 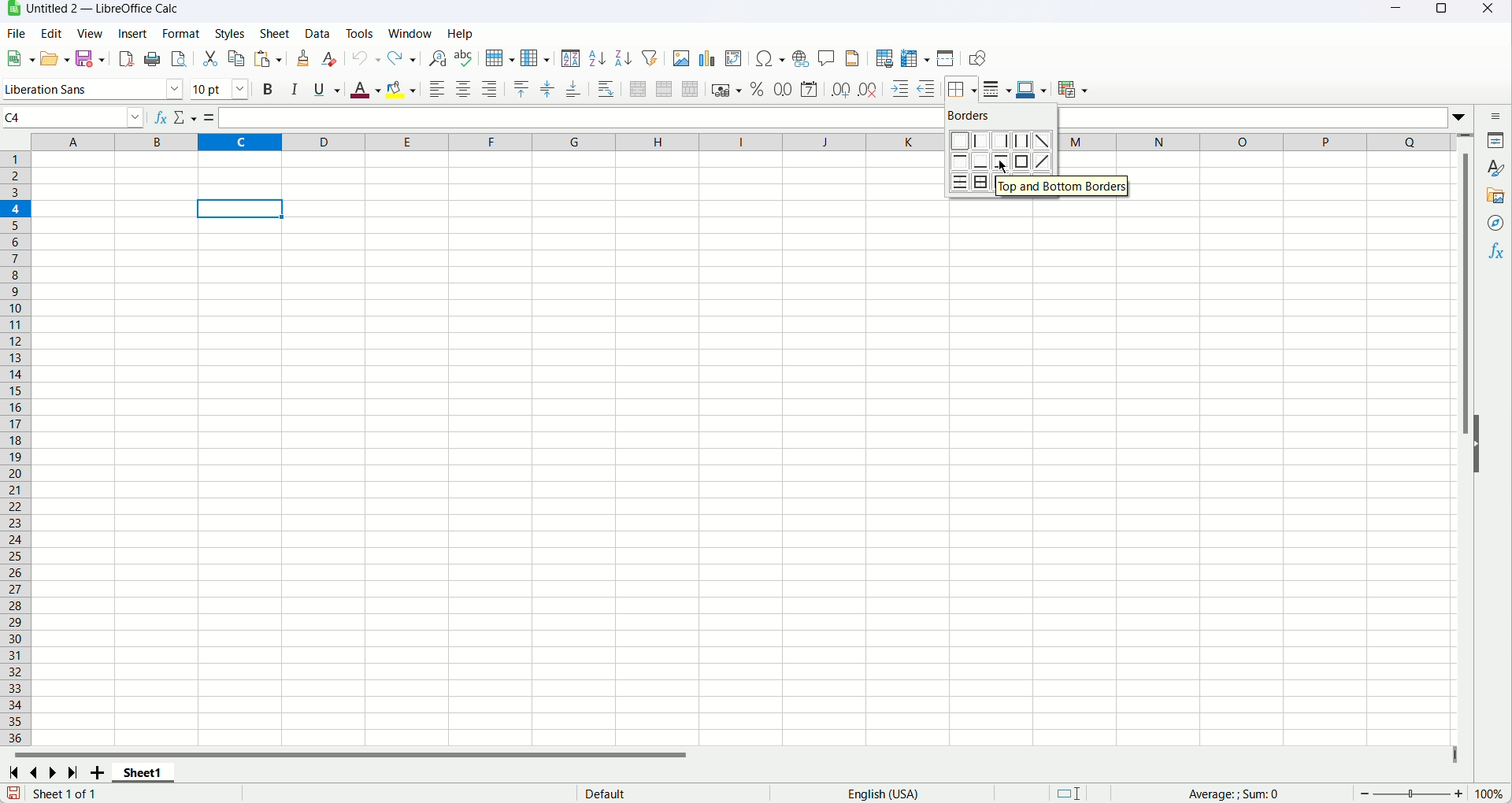 What do you see at coordinates (946, 58) in the screenshot?
I see `Split window` at bounding box center [946, 58].